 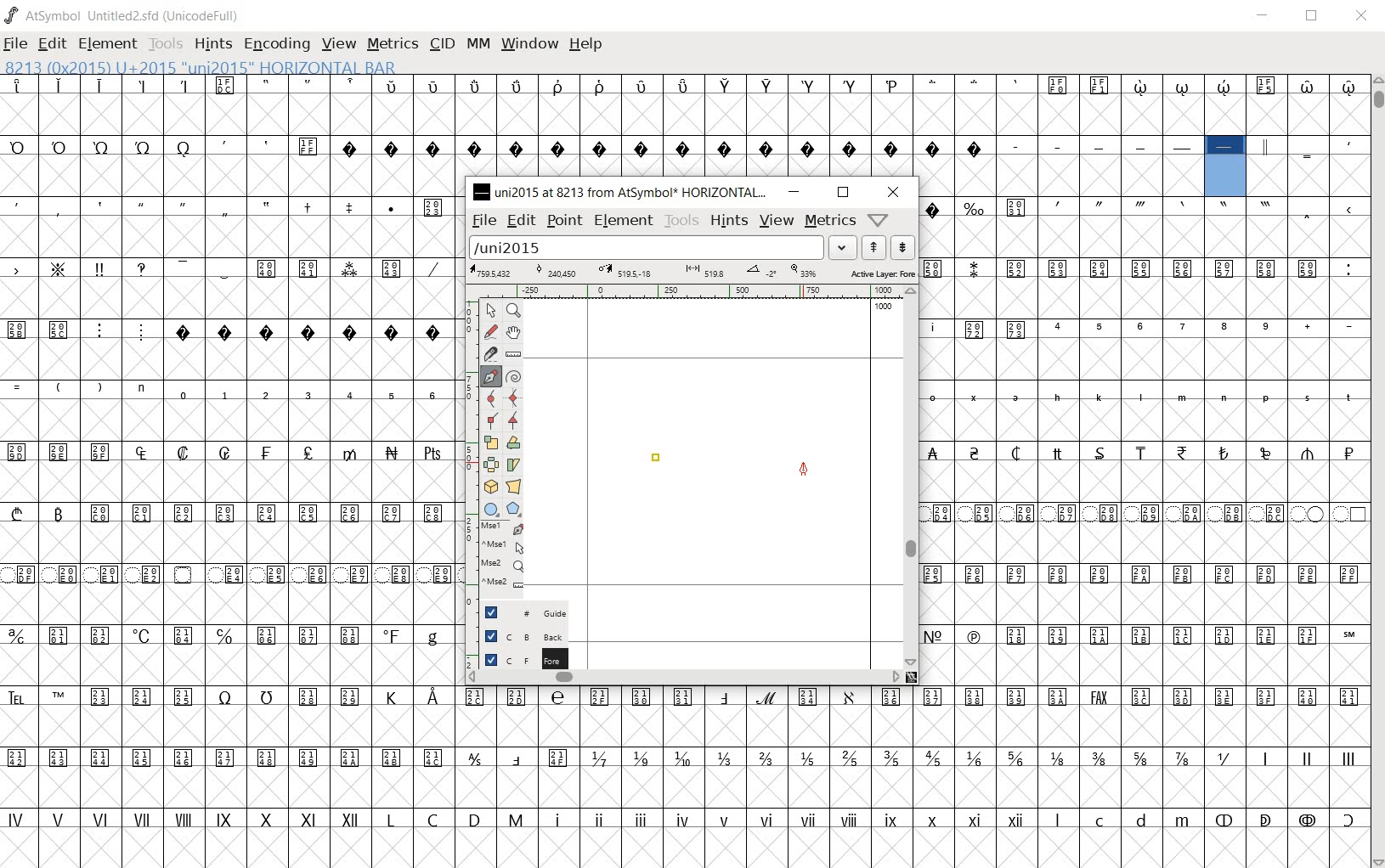 I want to click on WINDOW, so click(x=531, y=43).